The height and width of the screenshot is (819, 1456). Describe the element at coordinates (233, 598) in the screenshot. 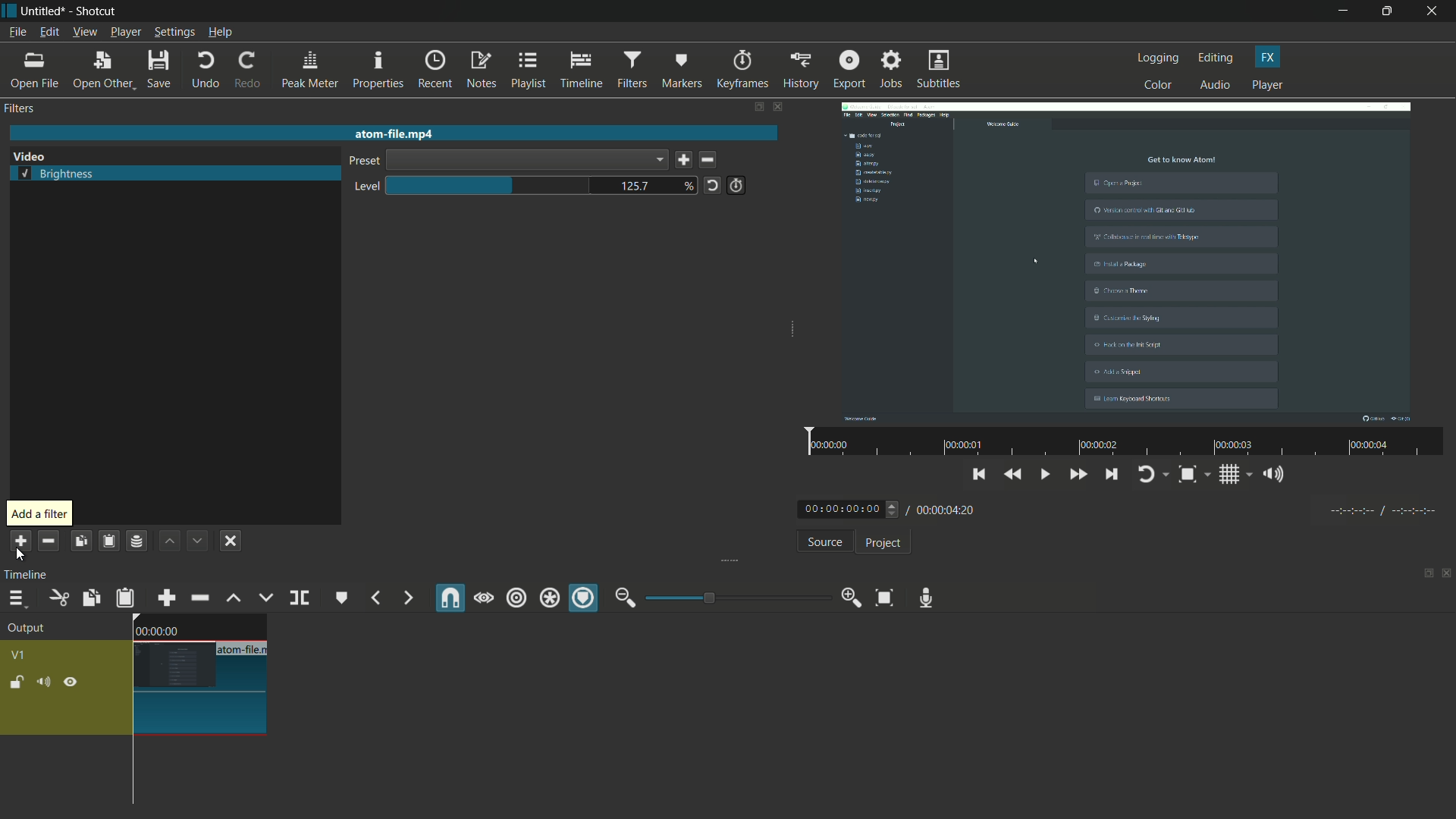

I see `lift` at that location.